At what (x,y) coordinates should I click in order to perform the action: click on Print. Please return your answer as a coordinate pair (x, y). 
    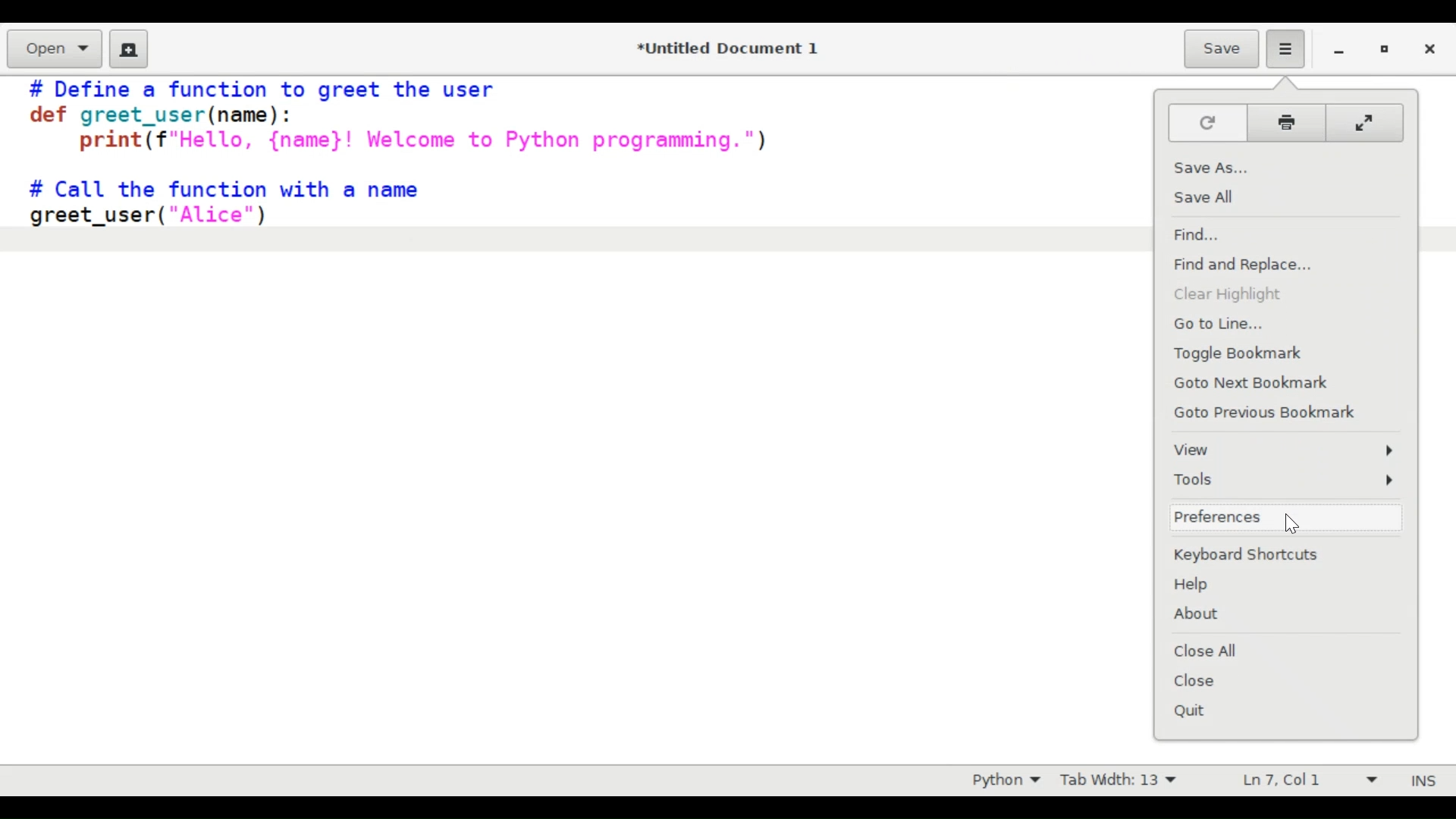
    Looking at the image, I should click on (1288, 124).